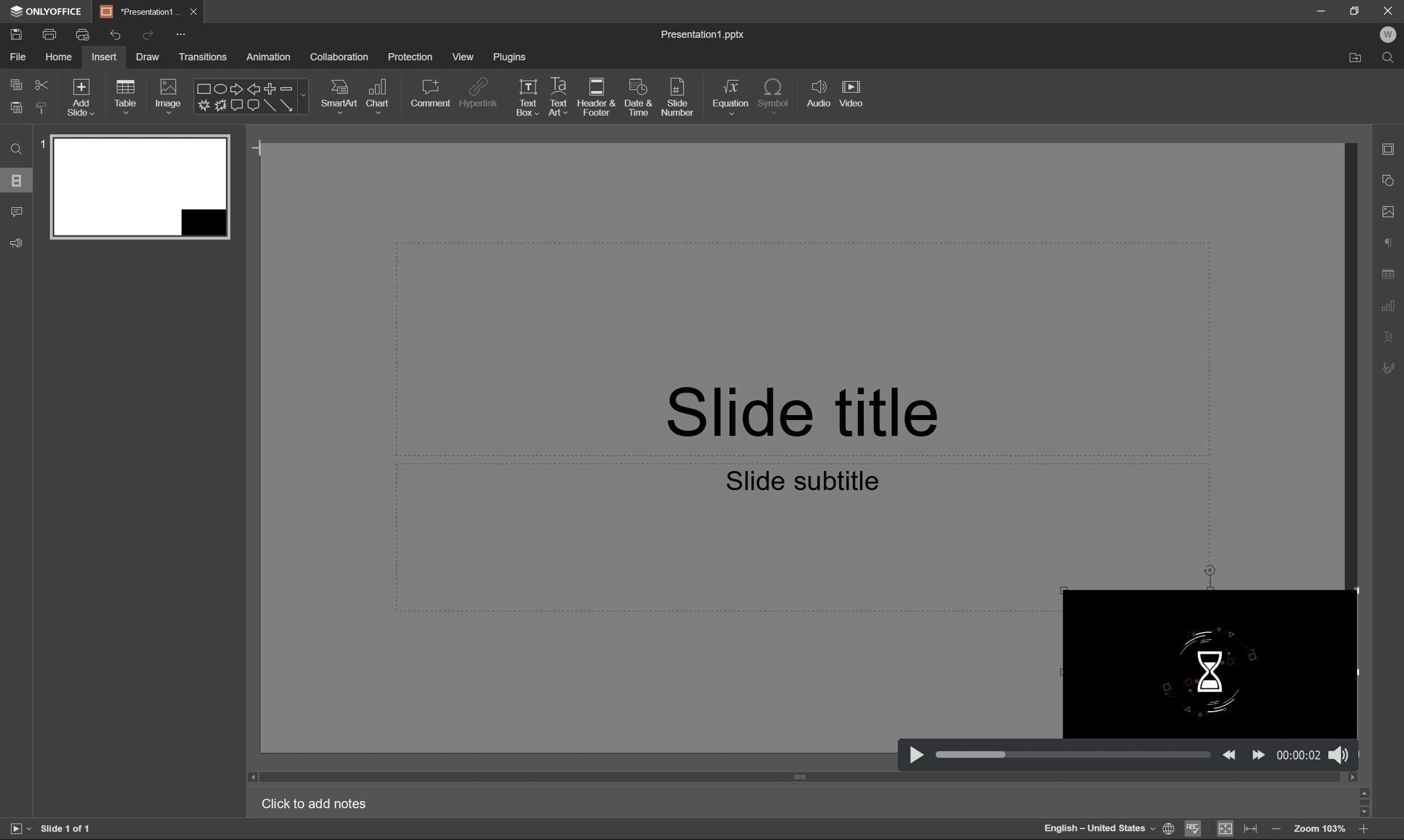 The width and height of the screenshot is (1404, 840). Describe the element at coordinates (250, 96) in the screenshot. I see `shapes` at that location.